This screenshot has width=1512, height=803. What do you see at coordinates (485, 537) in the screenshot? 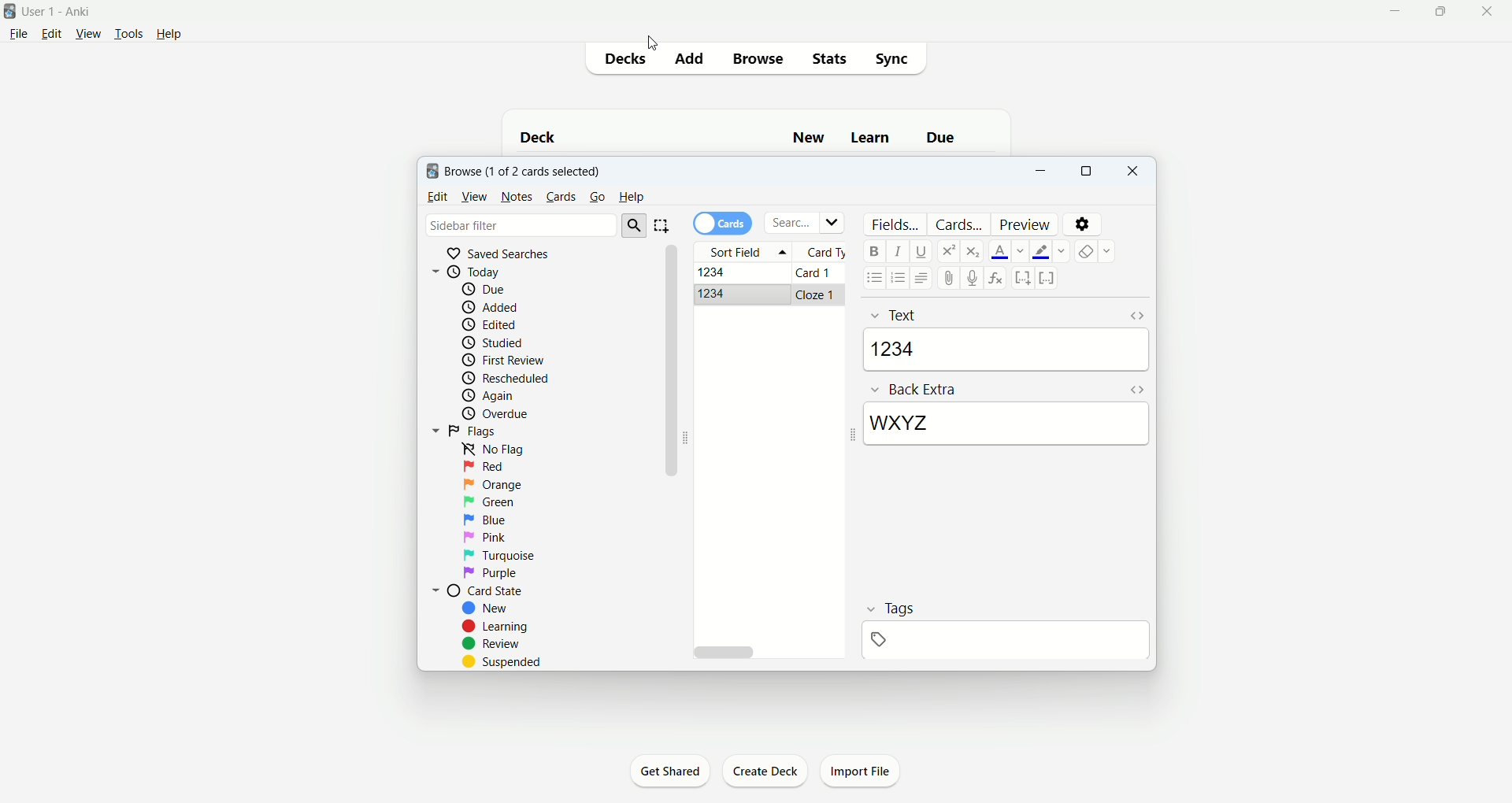
I see `pink` at bounding box center [485, 537].